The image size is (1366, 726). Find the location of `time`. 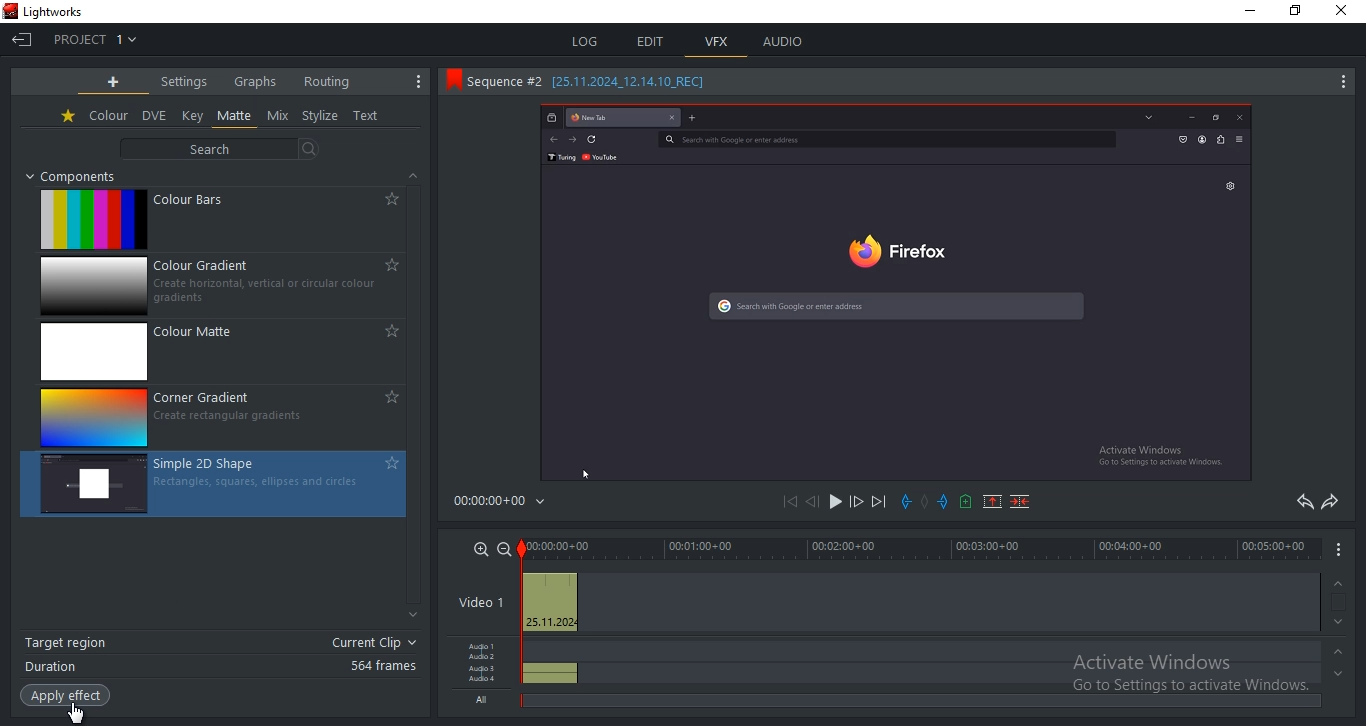

time is located at coordinates (504, 505).